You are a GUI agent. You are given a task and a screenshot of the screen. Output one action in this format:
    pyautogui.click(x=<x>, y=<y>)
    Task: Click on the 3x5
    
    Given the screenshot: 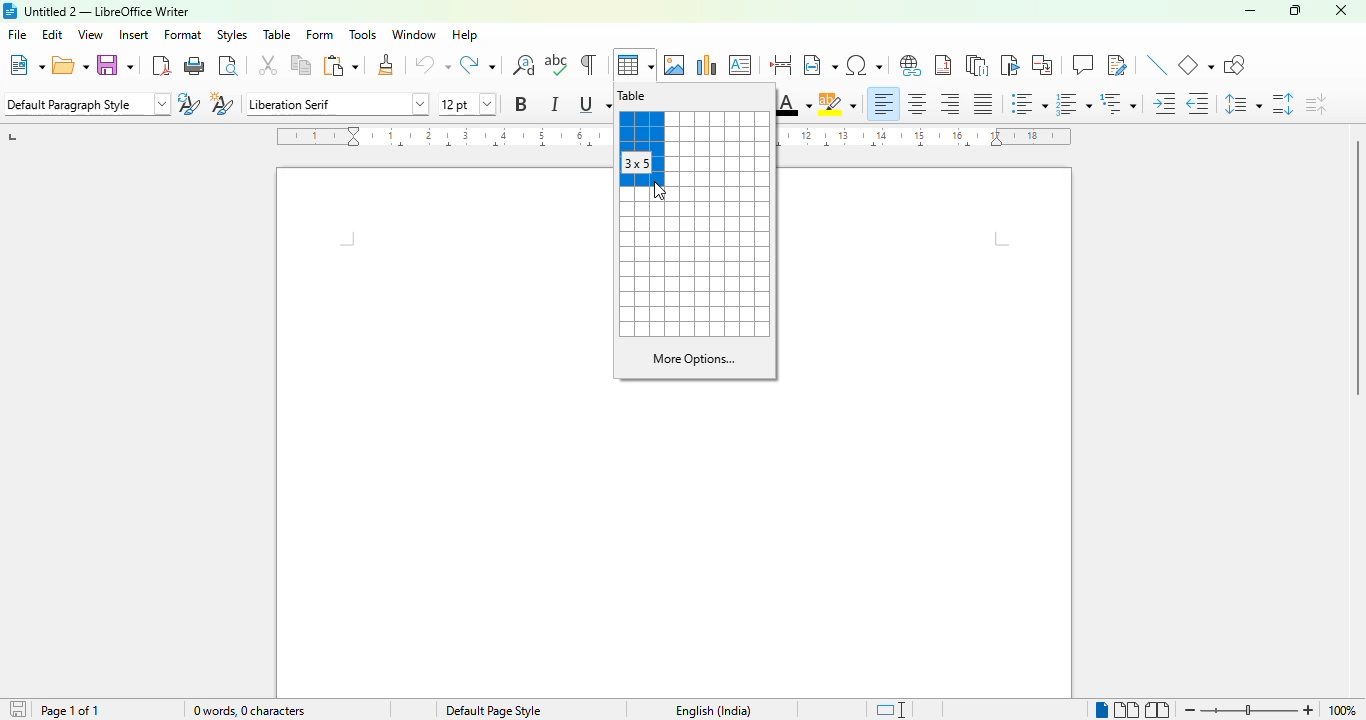 What is the action you would take?
    pyautogui.click(x=637, y=163)
    